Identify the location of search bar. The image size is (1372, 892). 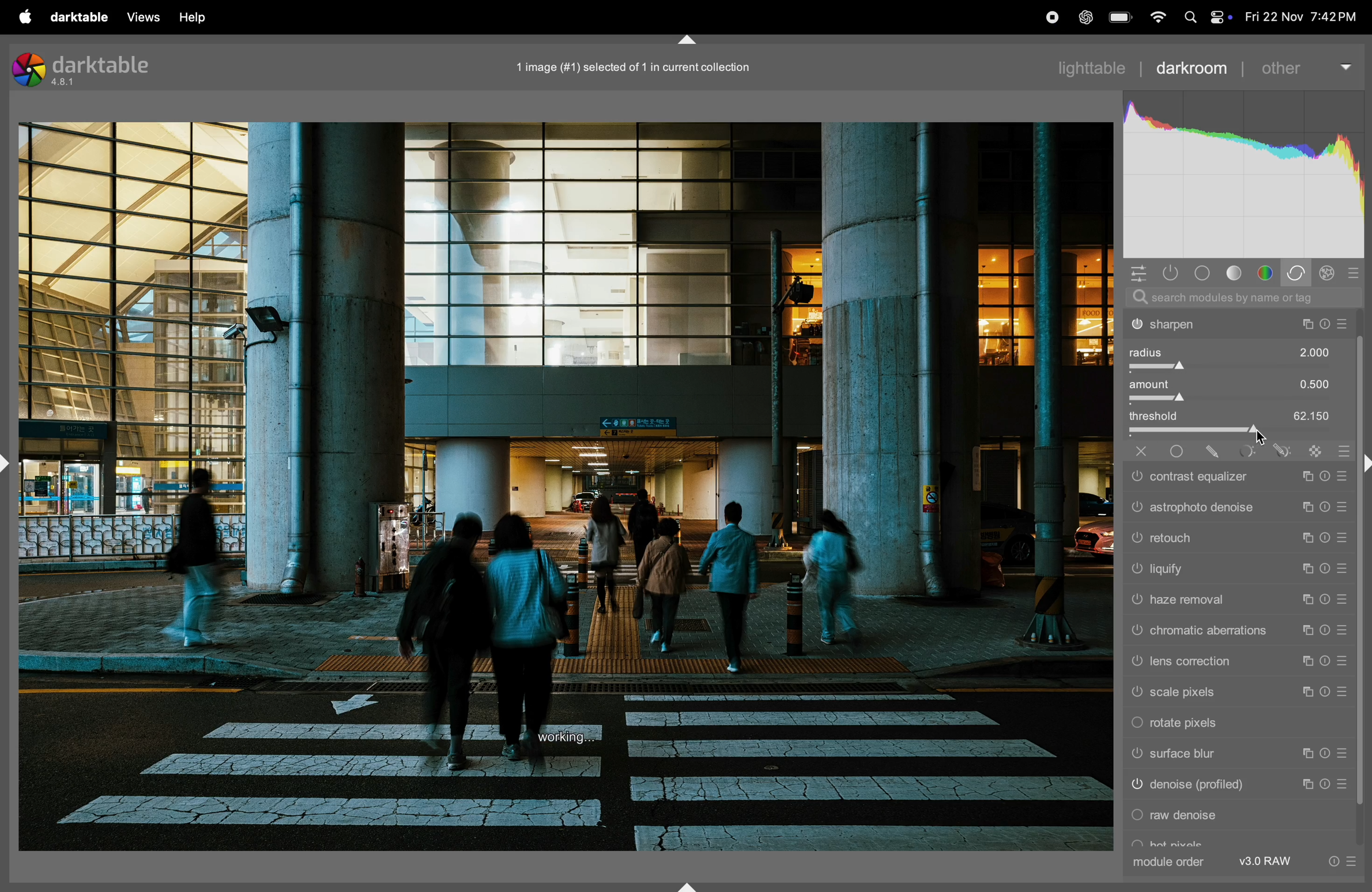
(1241, 297).